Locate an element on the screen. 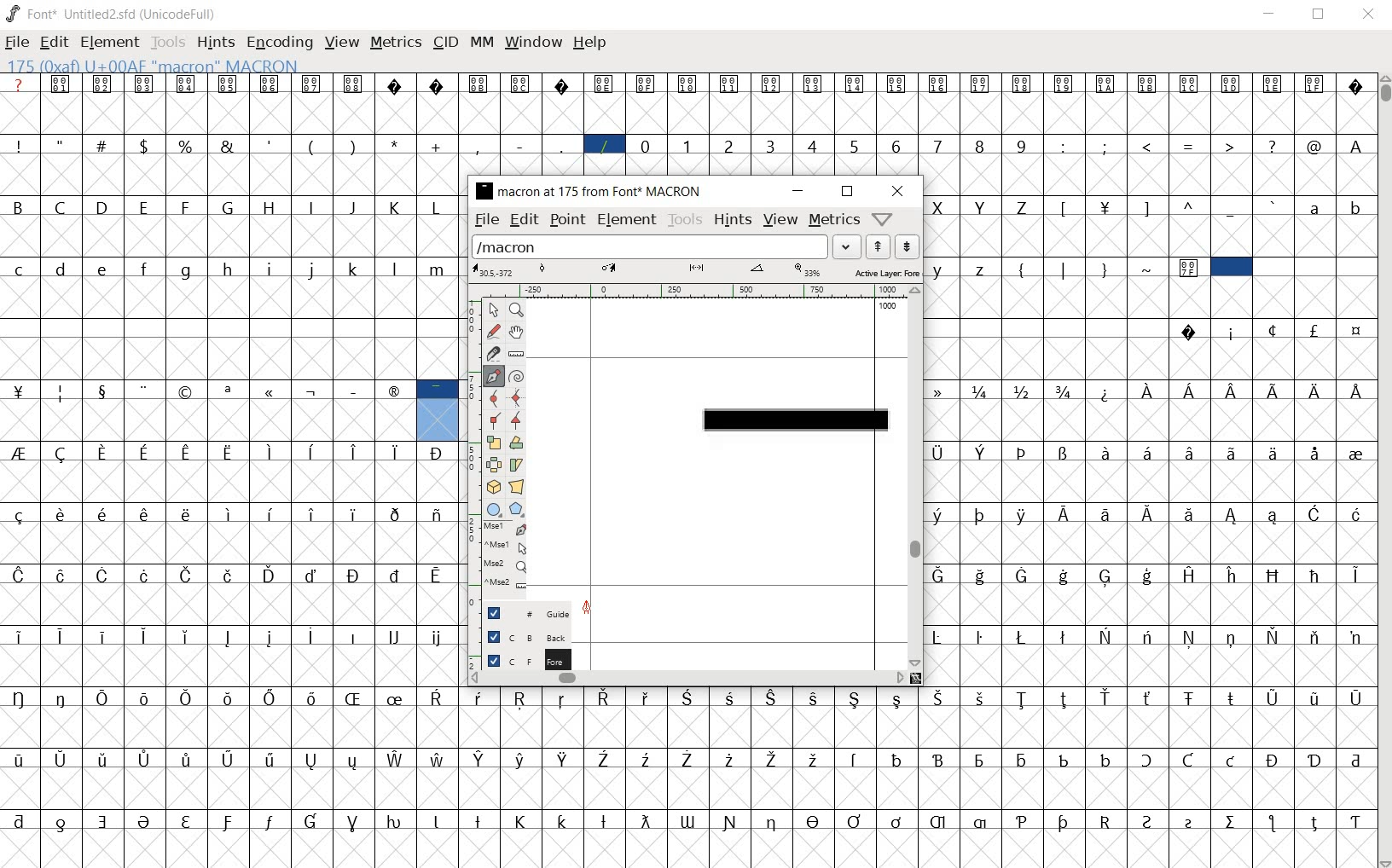 This screenshot has width=1392, height=868. Close is located at coordinates (1368, 14).